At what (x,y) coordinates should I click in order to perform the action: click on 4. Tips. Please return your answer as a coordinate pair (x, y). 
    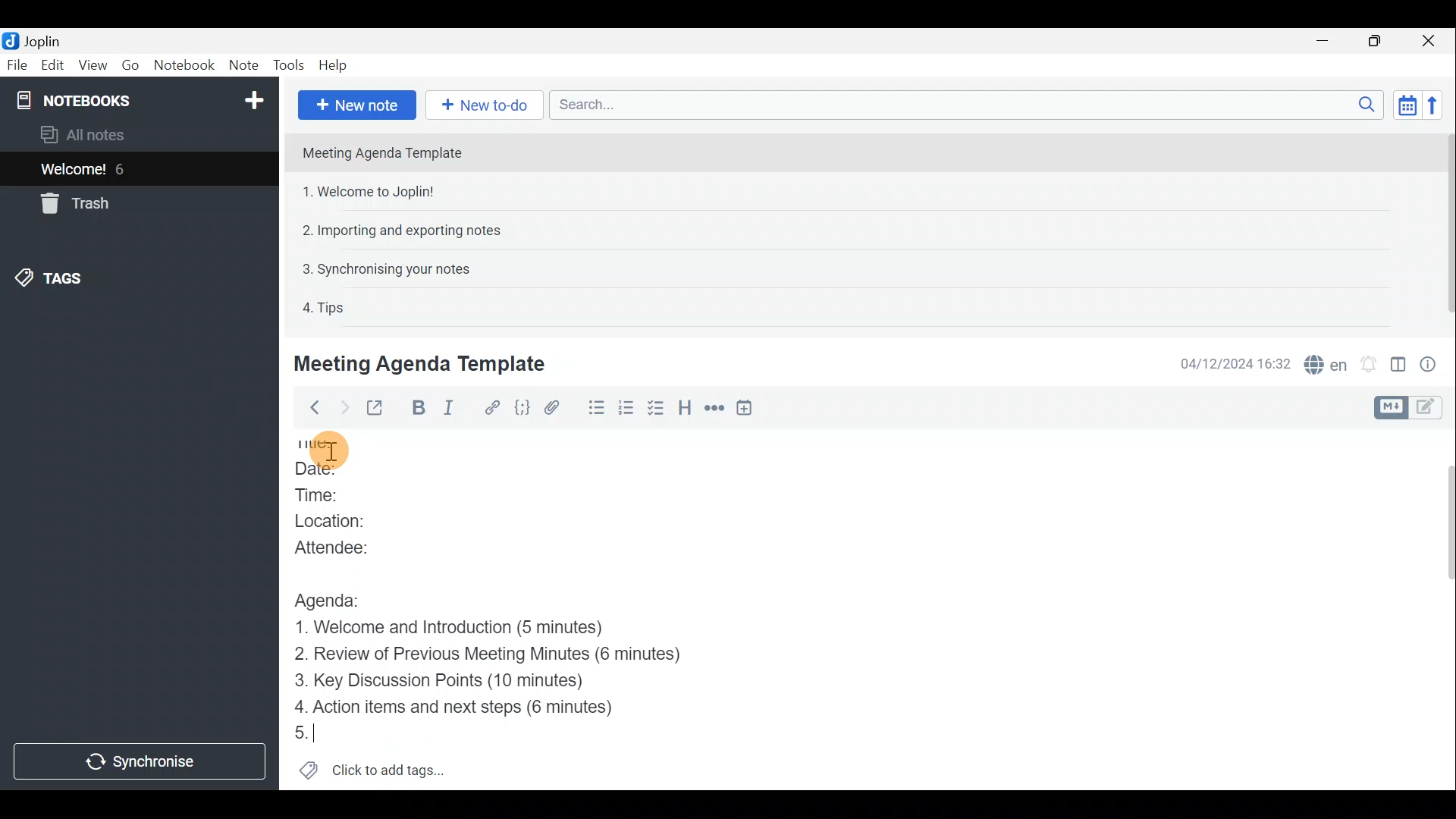
    Looking at the image, I should click on (325, 307).